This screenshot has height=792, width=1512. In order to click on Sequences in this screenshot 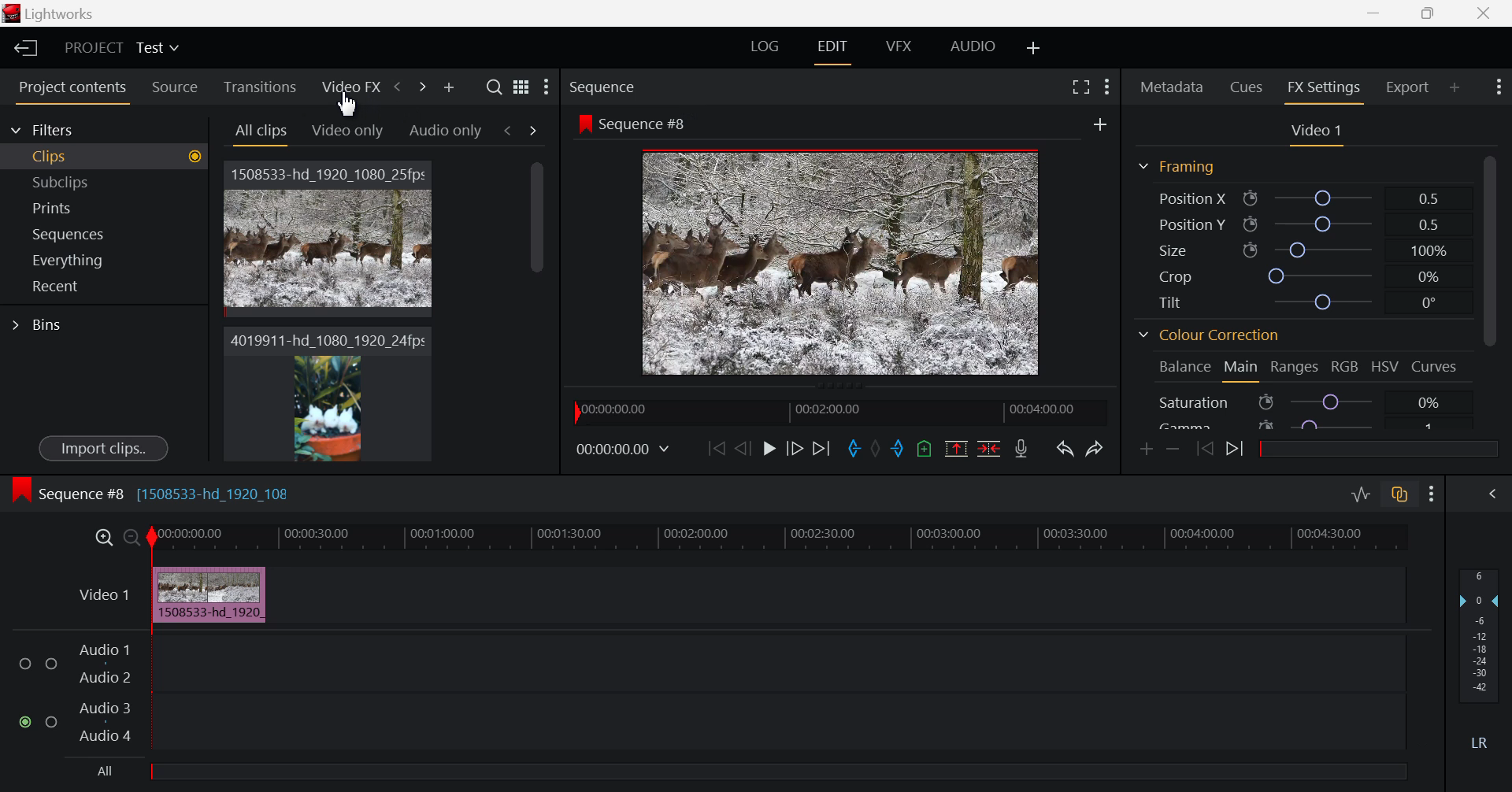, I will do `click(100, 234)`.